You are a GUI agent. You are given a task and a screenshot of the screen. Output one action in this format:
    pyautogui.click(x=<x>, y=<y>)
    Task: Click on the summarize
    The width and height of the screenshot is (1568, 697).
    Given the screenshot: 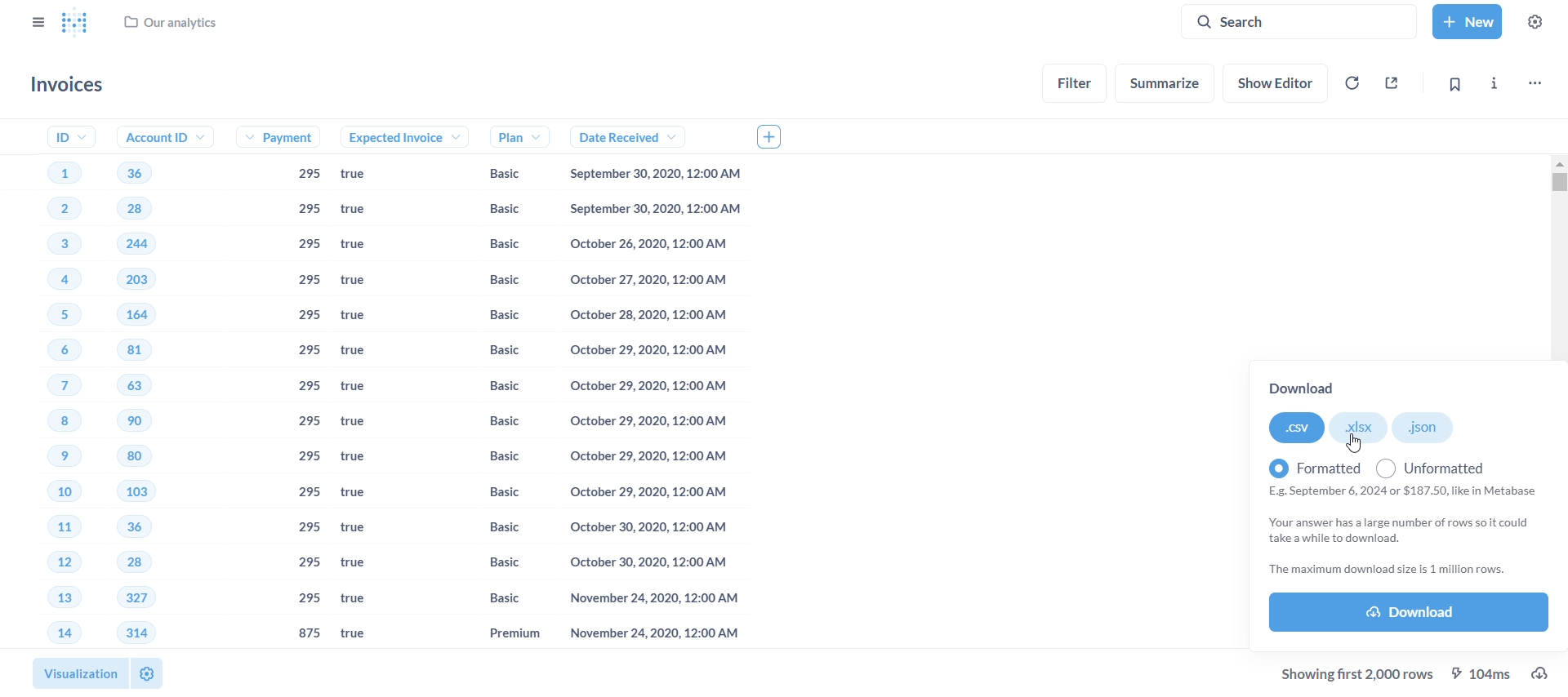 What is the action you would take?
    pyautogui.click(x=1166, y=83)
    